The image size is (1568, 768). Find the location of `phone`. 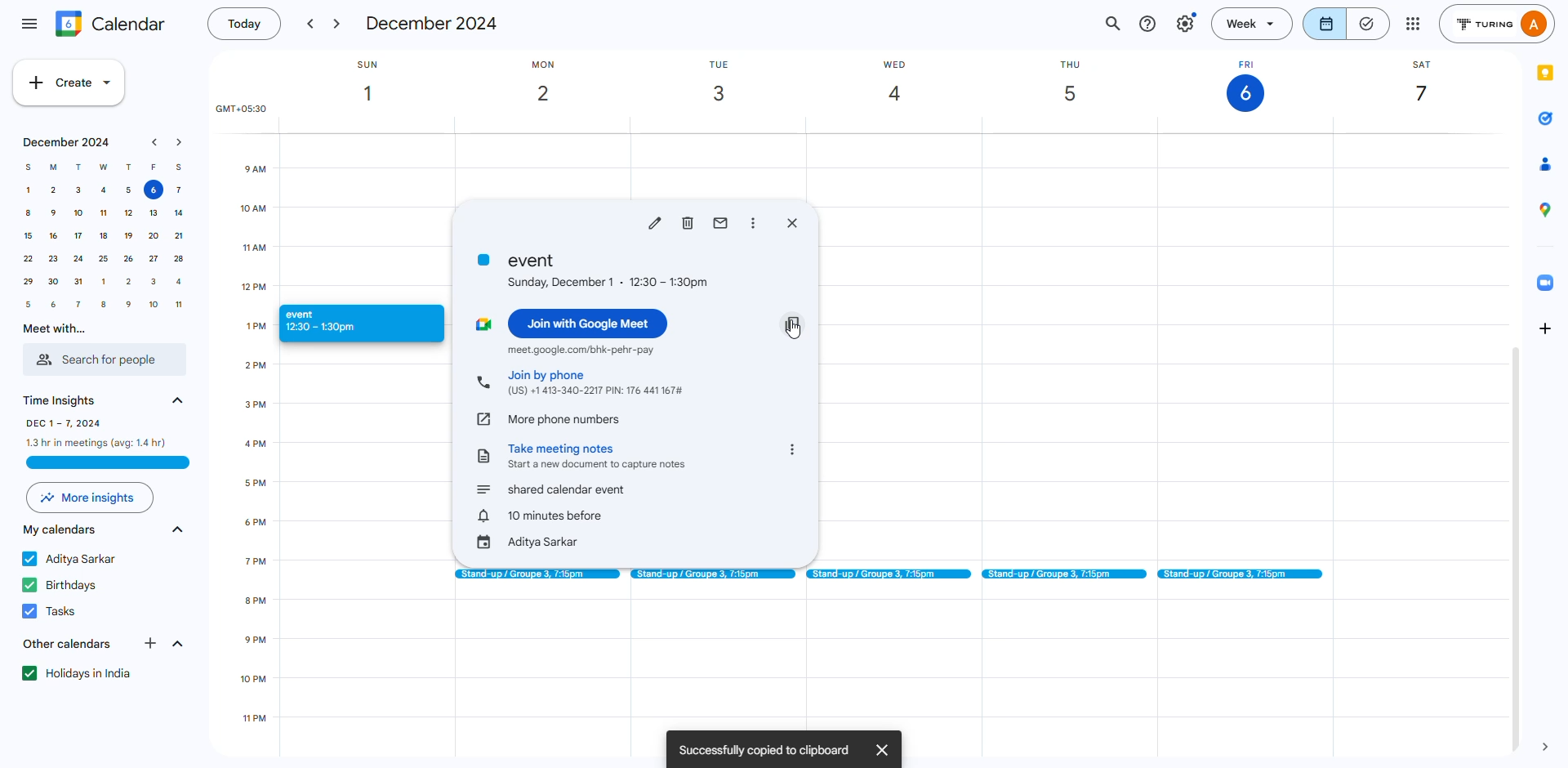

phone is located at coordinates (565, 417).